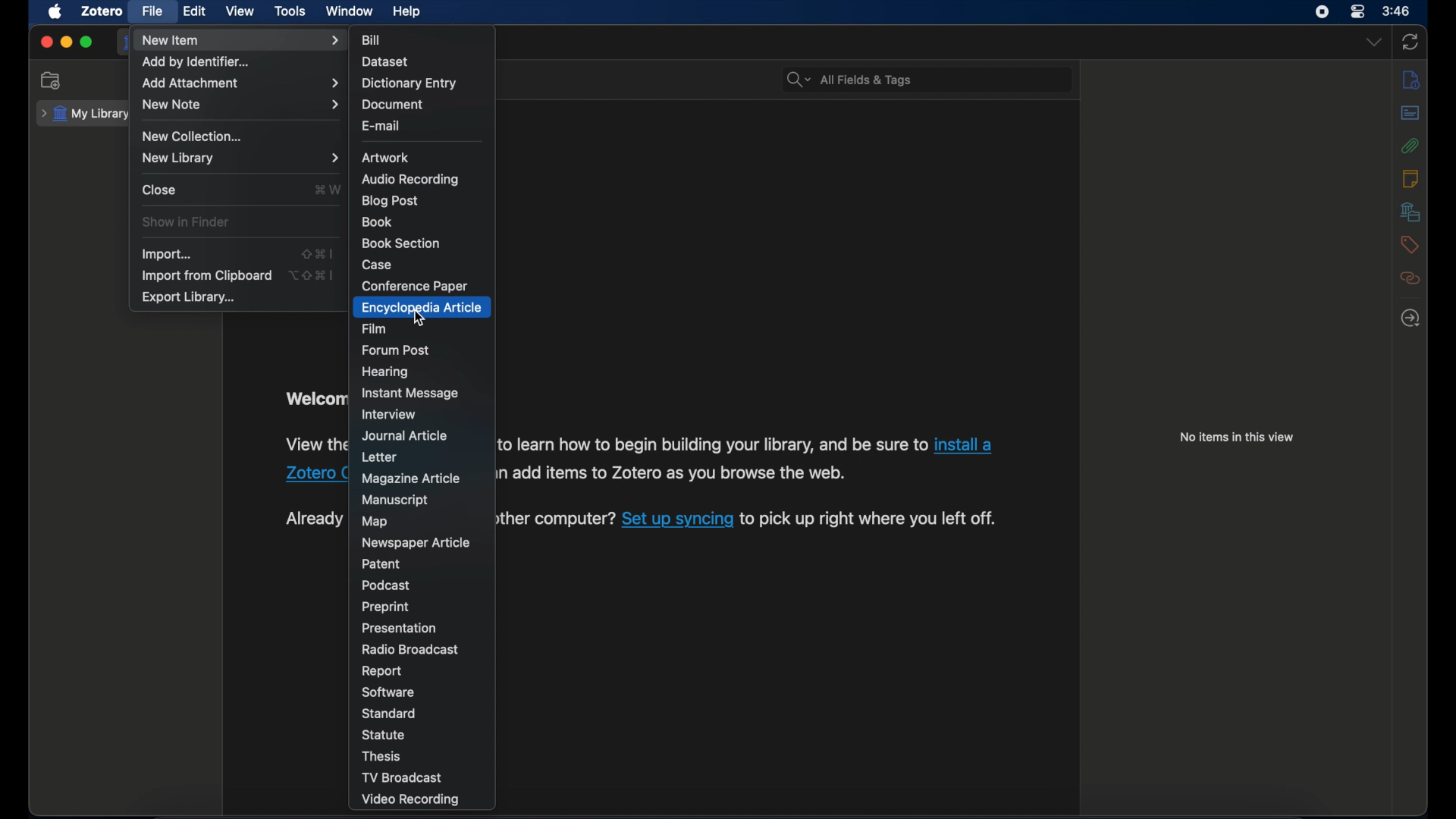 The height and width of the screenshot is (819, 1456). Describe the element at coordinates (52, 80) in the screenshot. I see `new collection` at that location.